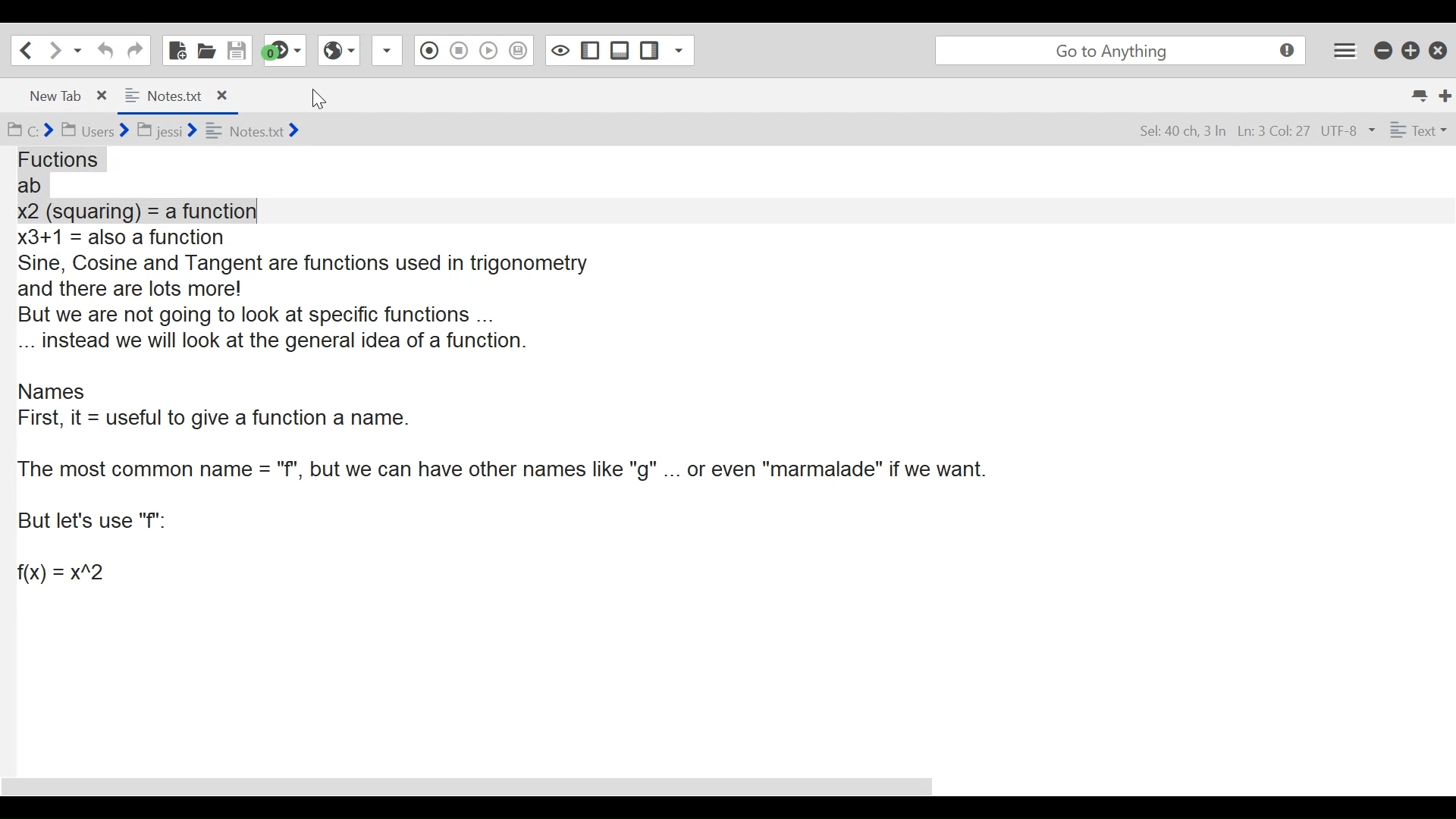 This screenshot has width=1456, height=819. I want to click on View in Browser, so click(339, 52).